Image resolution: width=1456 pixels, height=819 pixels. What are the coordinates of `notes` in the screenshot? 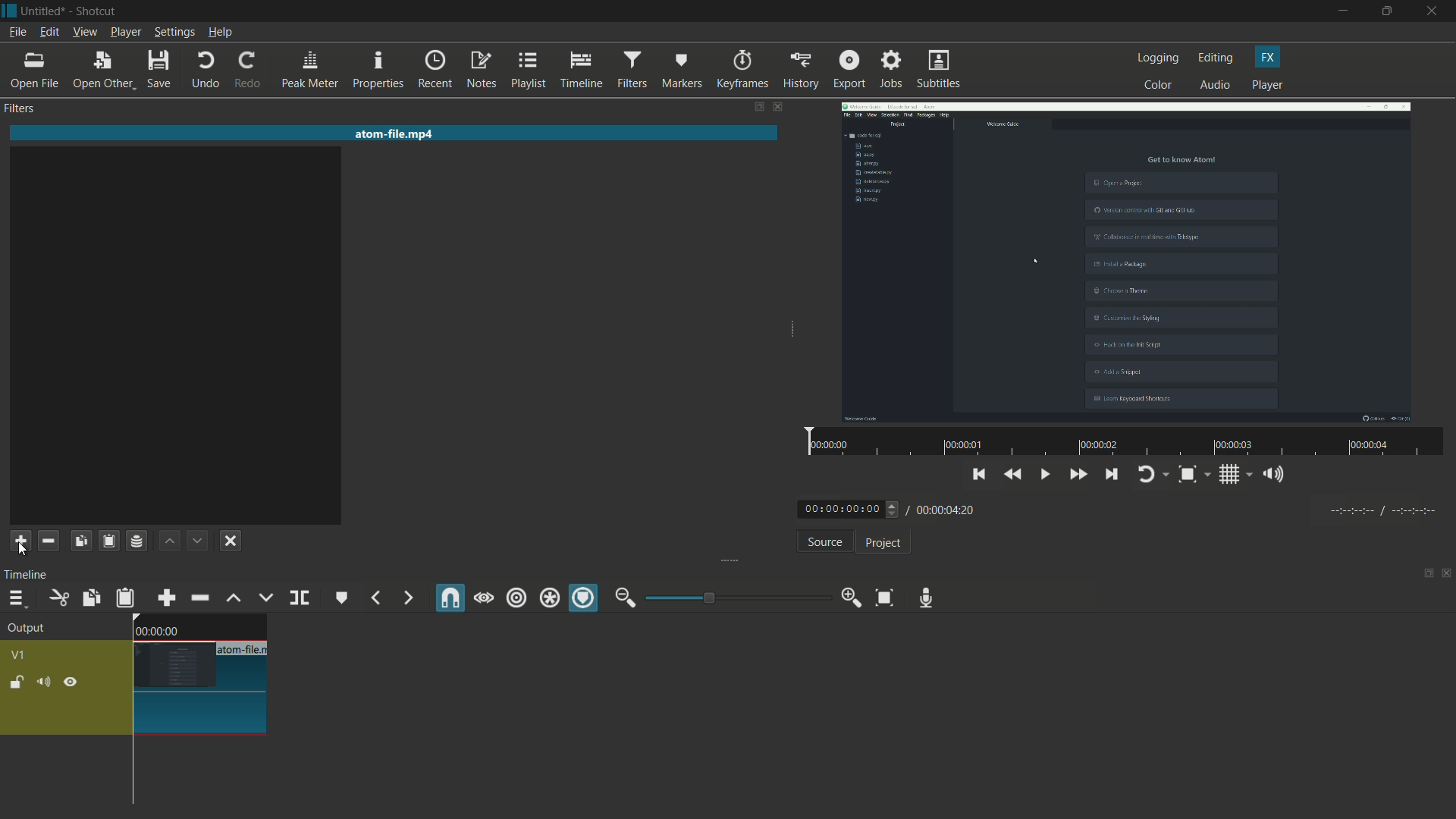 It's located at (483, 71).